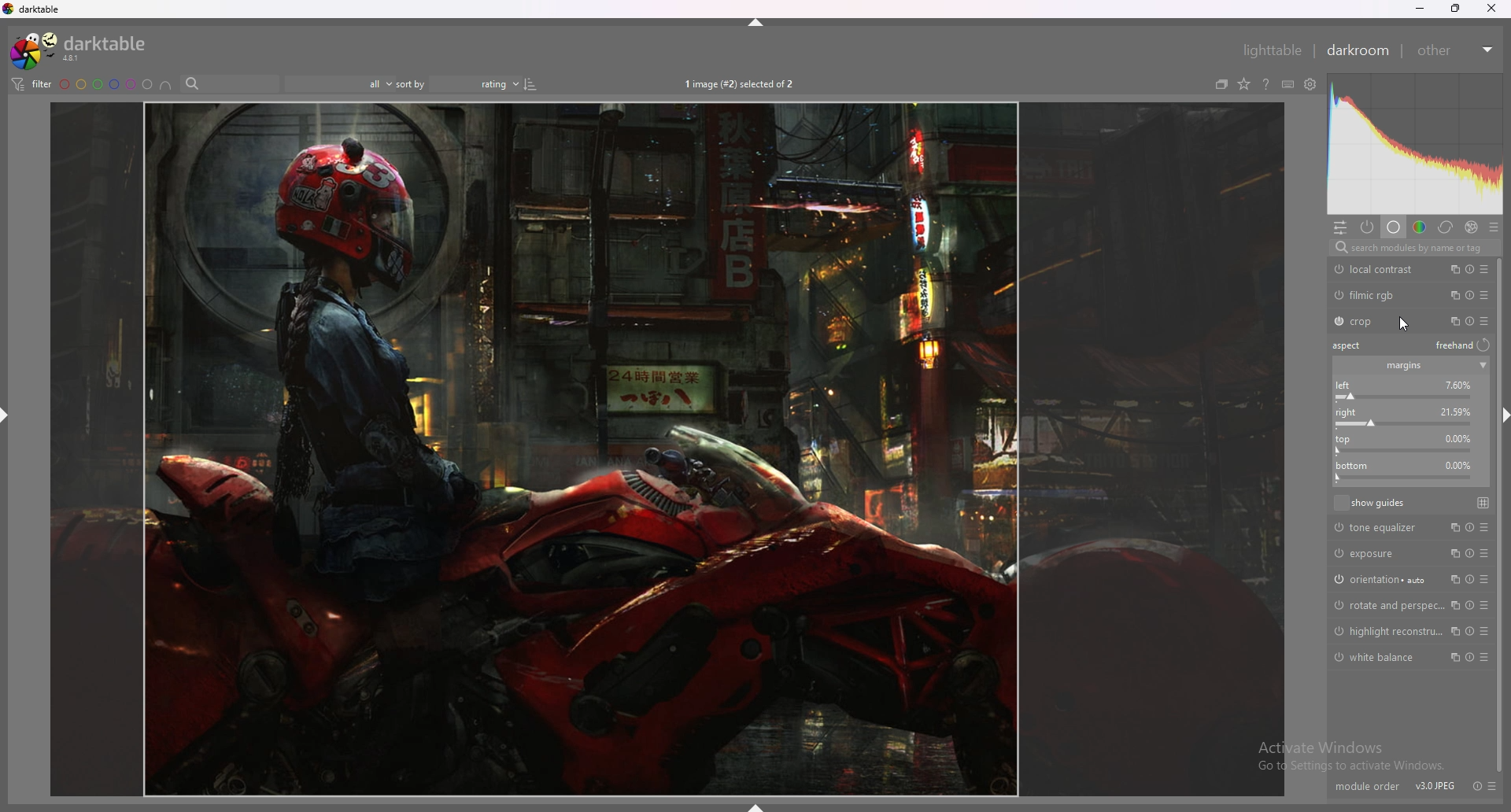 The height and width of the screenshot is (812, 1511). What do you see at coordinates (1484, 269) in the screenshot?
I see `presets` at bounding box center [1484, 269].